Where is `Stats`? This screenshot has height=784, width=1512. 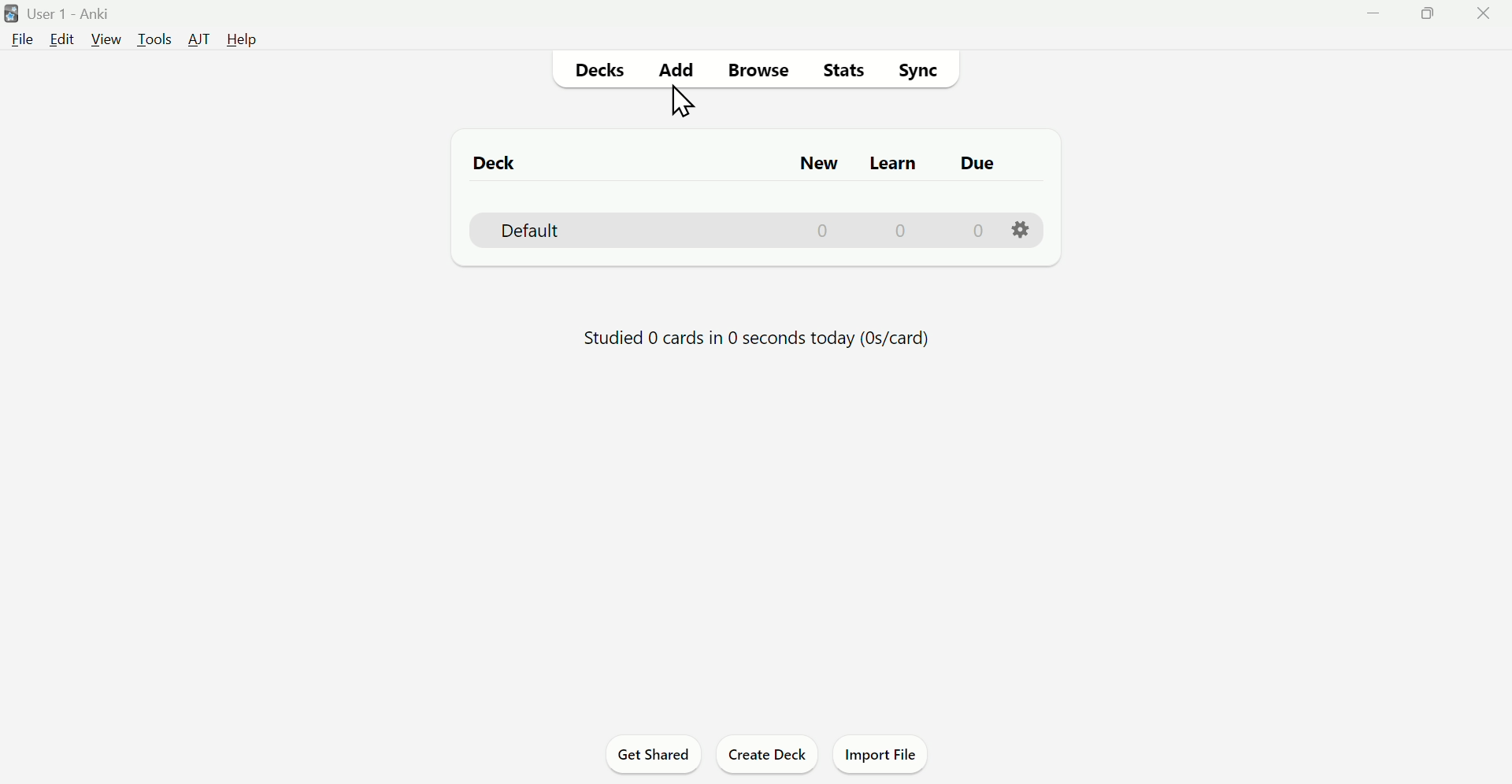
Stats is located at coordinates (849, 72).